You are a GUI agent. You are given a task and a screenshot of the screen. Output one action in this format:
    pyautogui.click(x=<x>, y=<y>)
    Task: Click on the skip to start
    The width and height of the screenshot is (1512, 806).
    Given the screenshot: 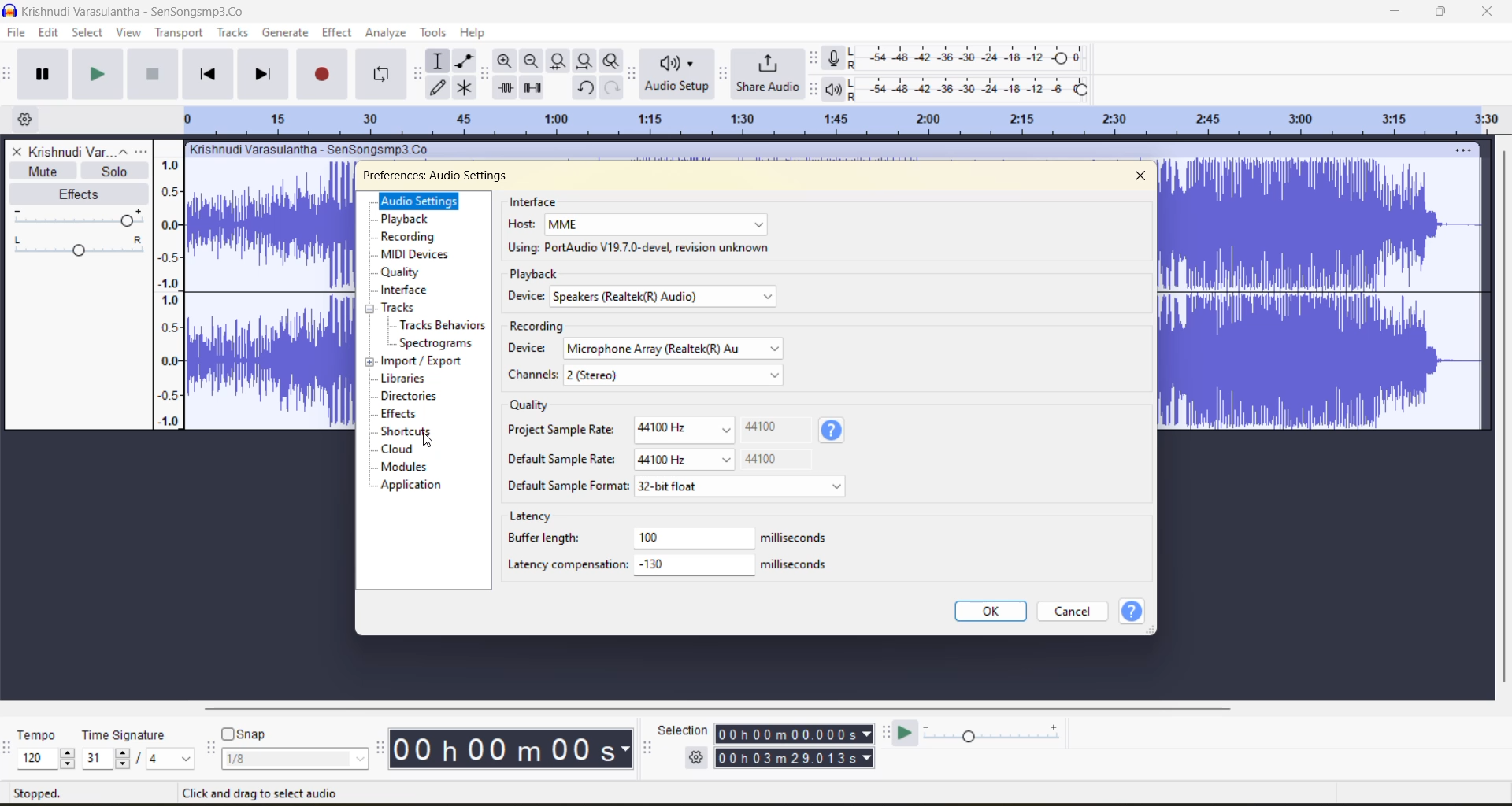 What is the action you would take?
    pyautogui.click(x=206, y=73)
    